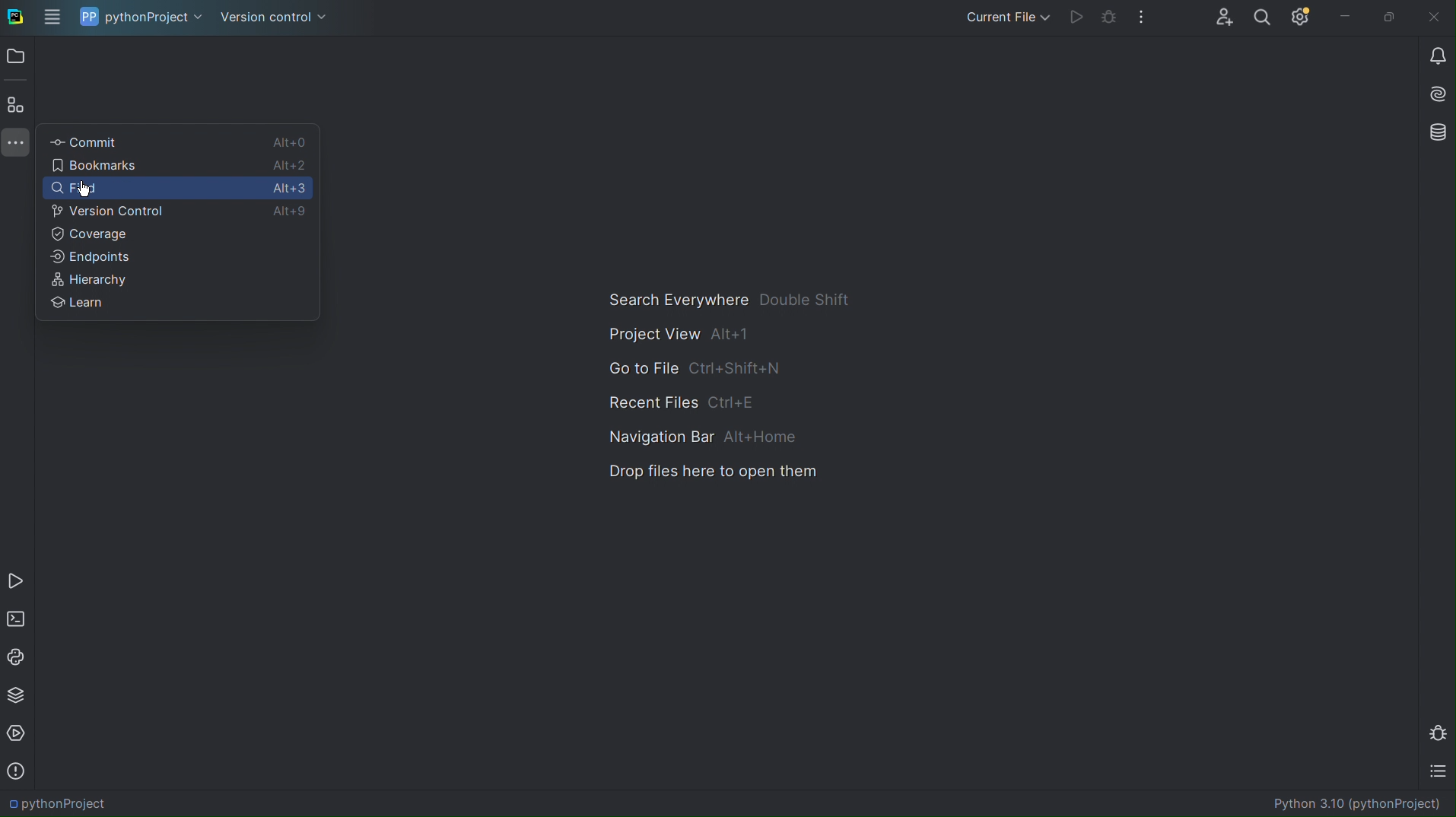 The image size is (1456, 817). Describe the element at coordinates (87, 277) in the screenshot. I see `Heirarchy` at that location.